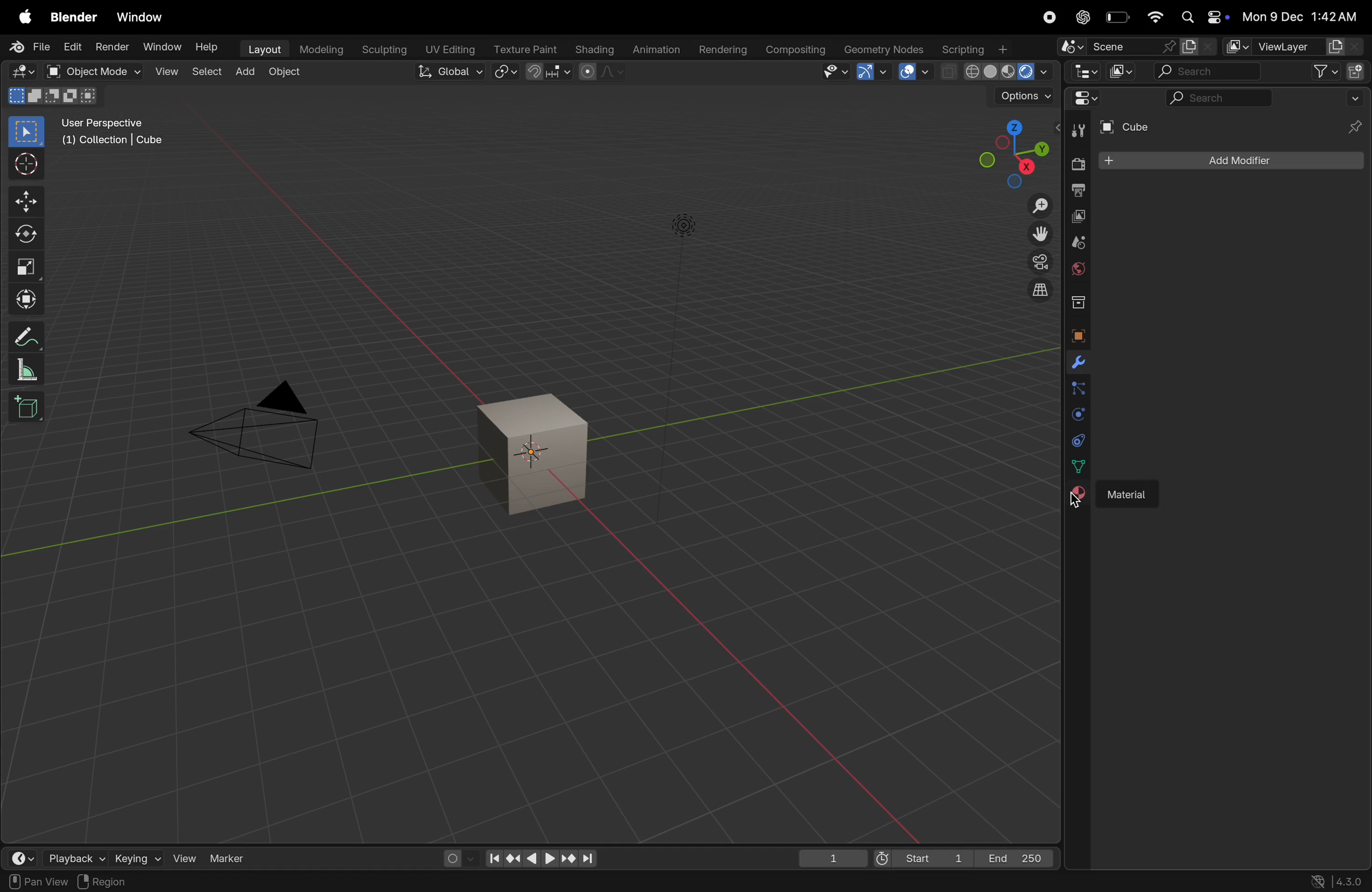  What do you see at coordinates (1075, 333) in the screenshot?
I see `objects` at bounding box center [1075, 333].